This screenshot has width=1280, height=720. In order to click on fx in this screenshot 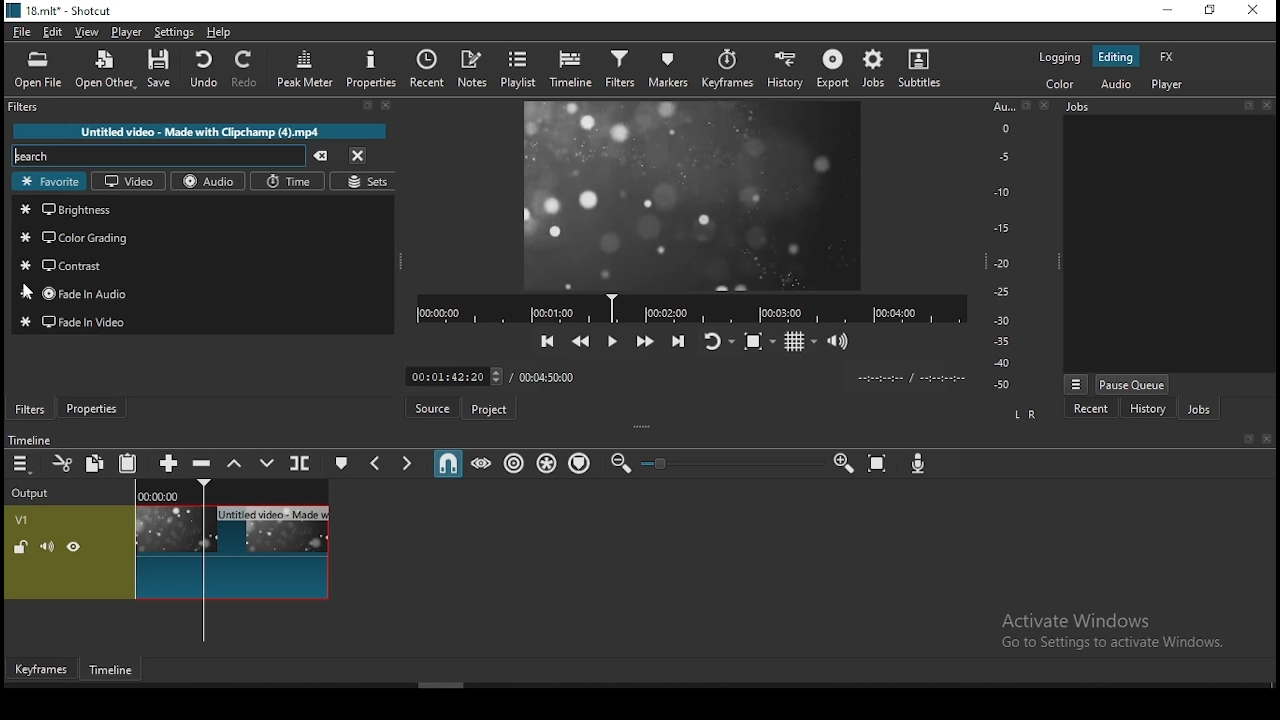, I will do `click(1168, 58)`.